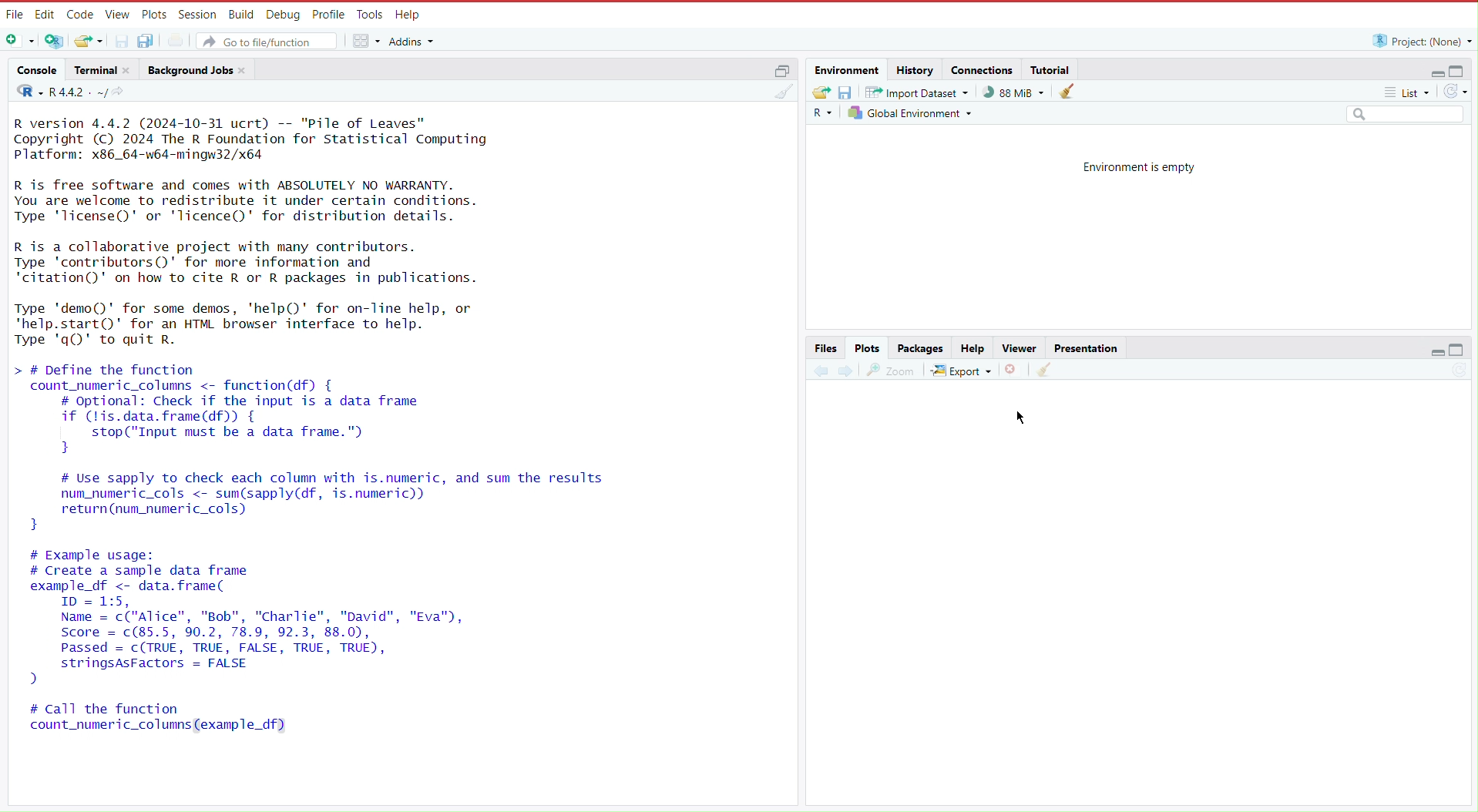 Image resolution: width=1478 pixels, height=812 pixels. What do you see at coordinates (14, 15) in the screenshot?
I see `File` at bounding box center [14, 15].